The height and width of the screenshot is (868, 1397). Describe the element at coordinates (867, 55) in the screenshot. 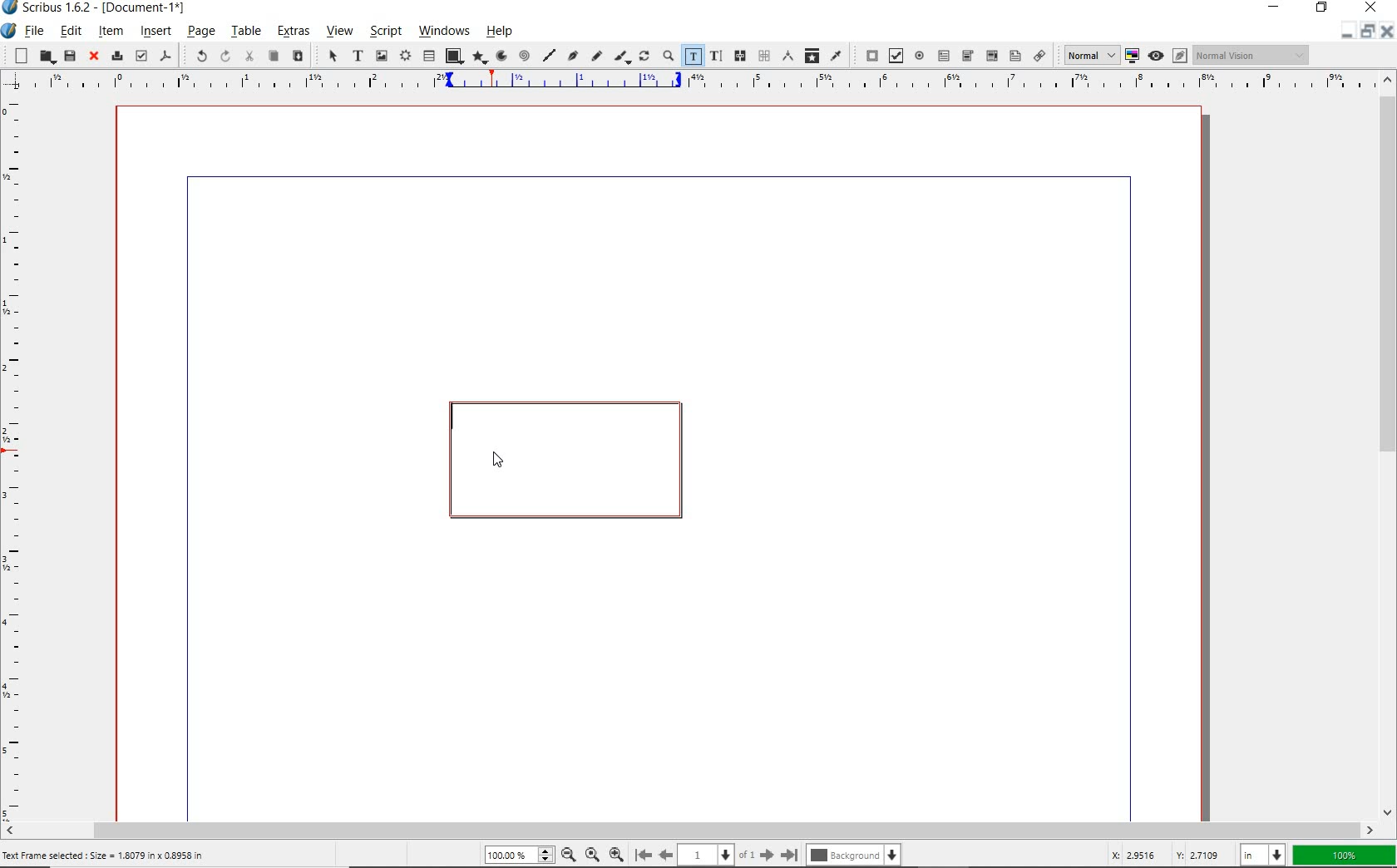

I see `pdf push button` at that location.